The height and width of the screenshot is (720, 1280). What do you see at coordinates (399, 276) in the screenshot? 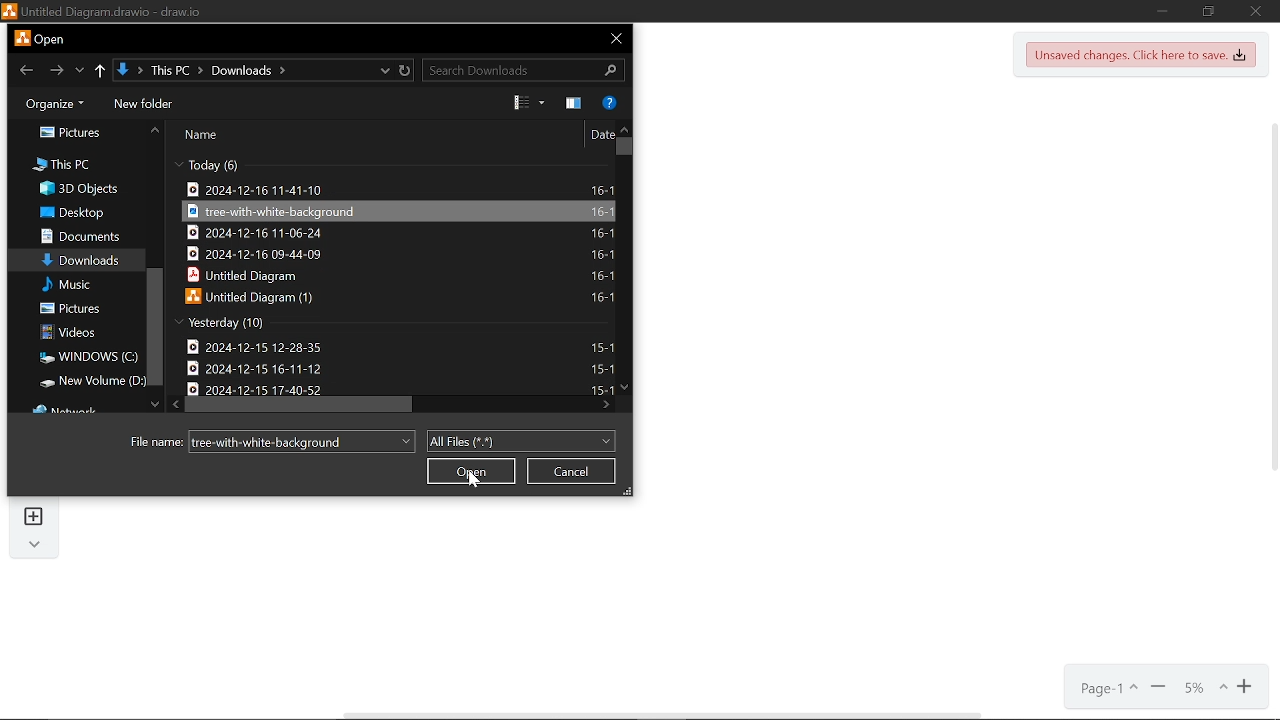
I see `file titled "Untitled diagram"` at bounding box center [399, 276].